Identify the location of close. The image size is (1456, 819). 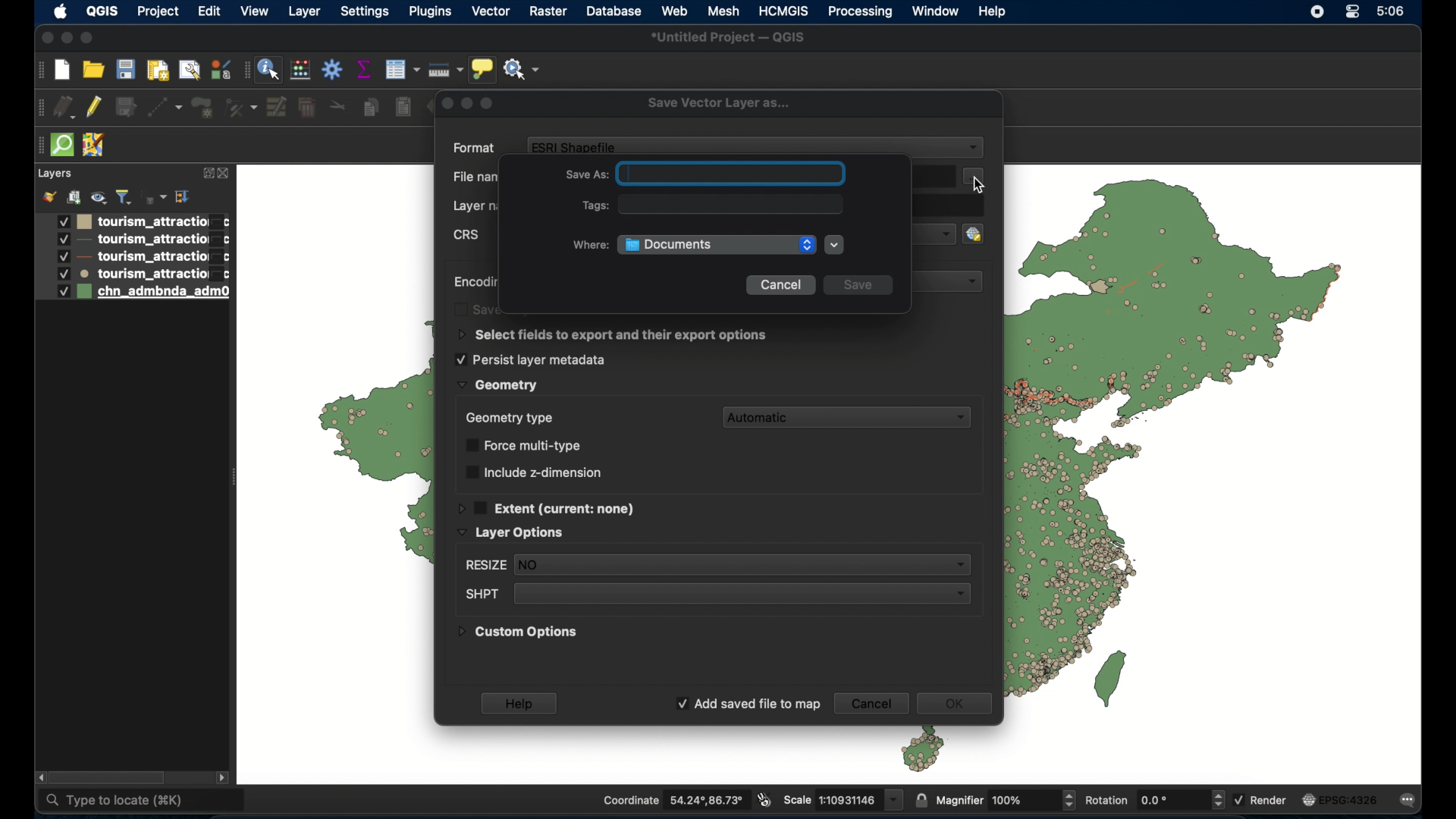
(225, 174).